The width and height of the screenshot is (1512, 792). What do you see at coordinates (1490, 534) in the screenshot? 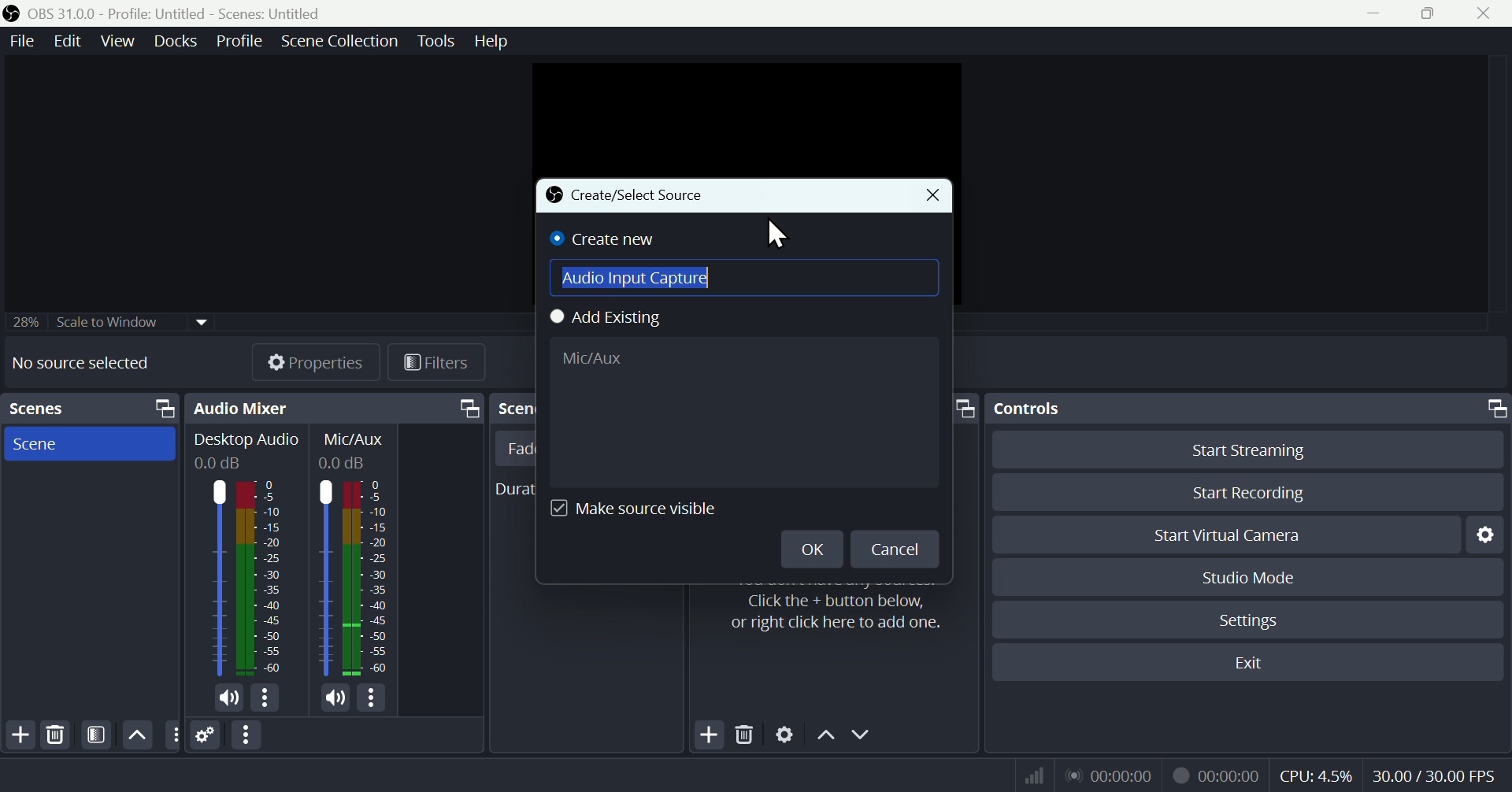
I see `Settings` at bounding box center [1490, 534].